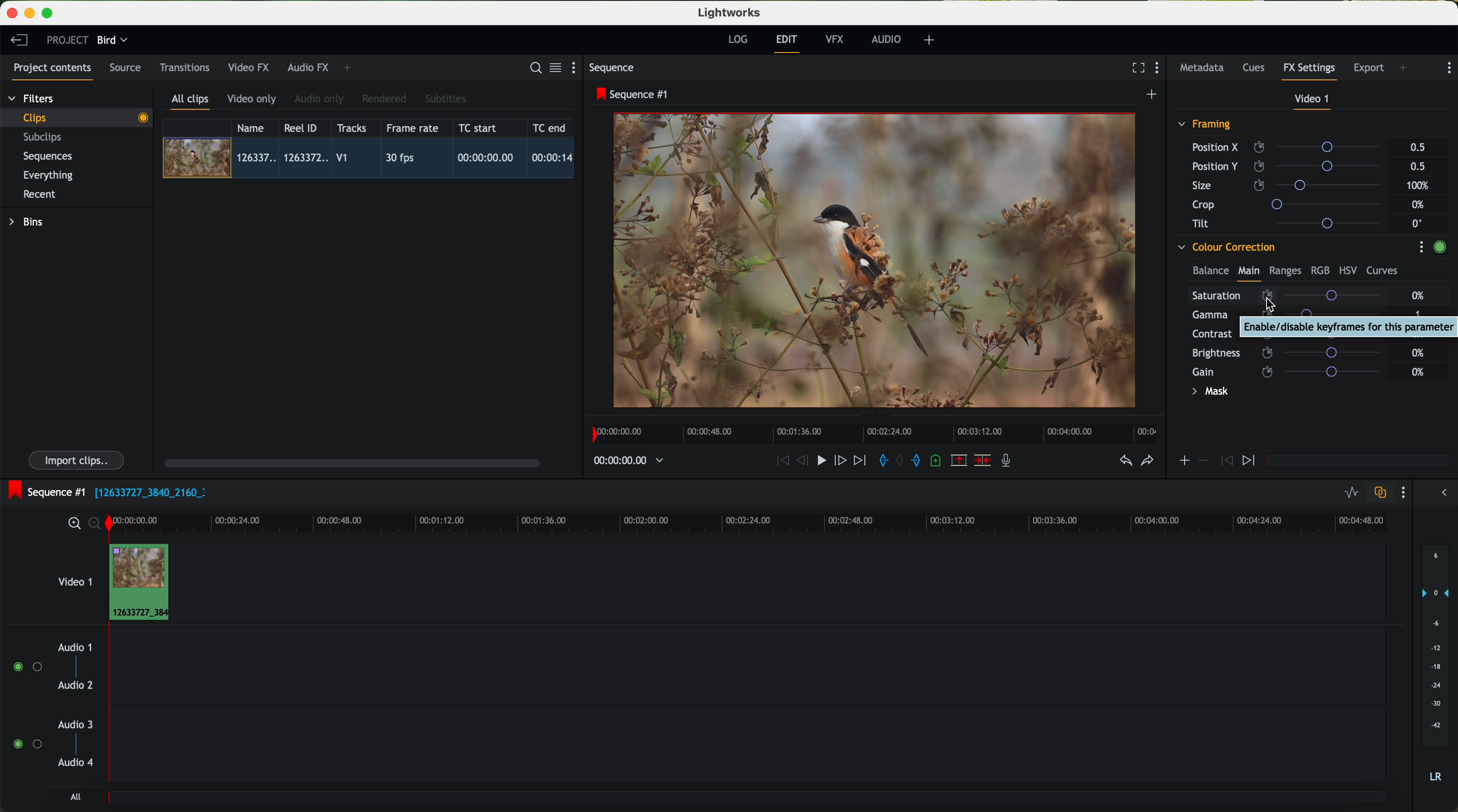 This screenshot has width=1458, height=812. I want to click on gamma, so click(1292, 314).